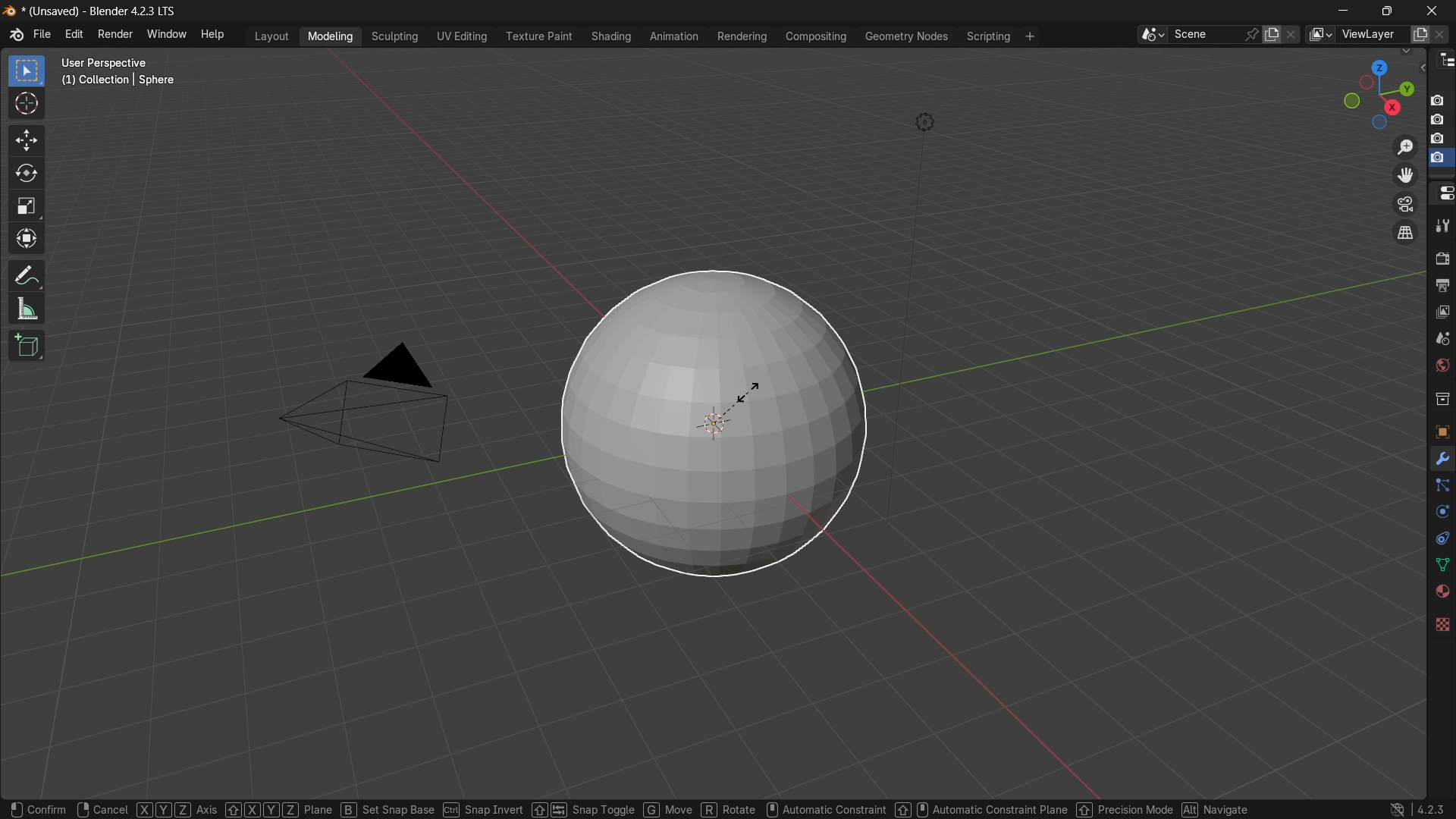 The height and width of the screenshot is (819, 1456). Describe the element at coordinates (1442, 259) in the screenshot. I see `render` at that location.